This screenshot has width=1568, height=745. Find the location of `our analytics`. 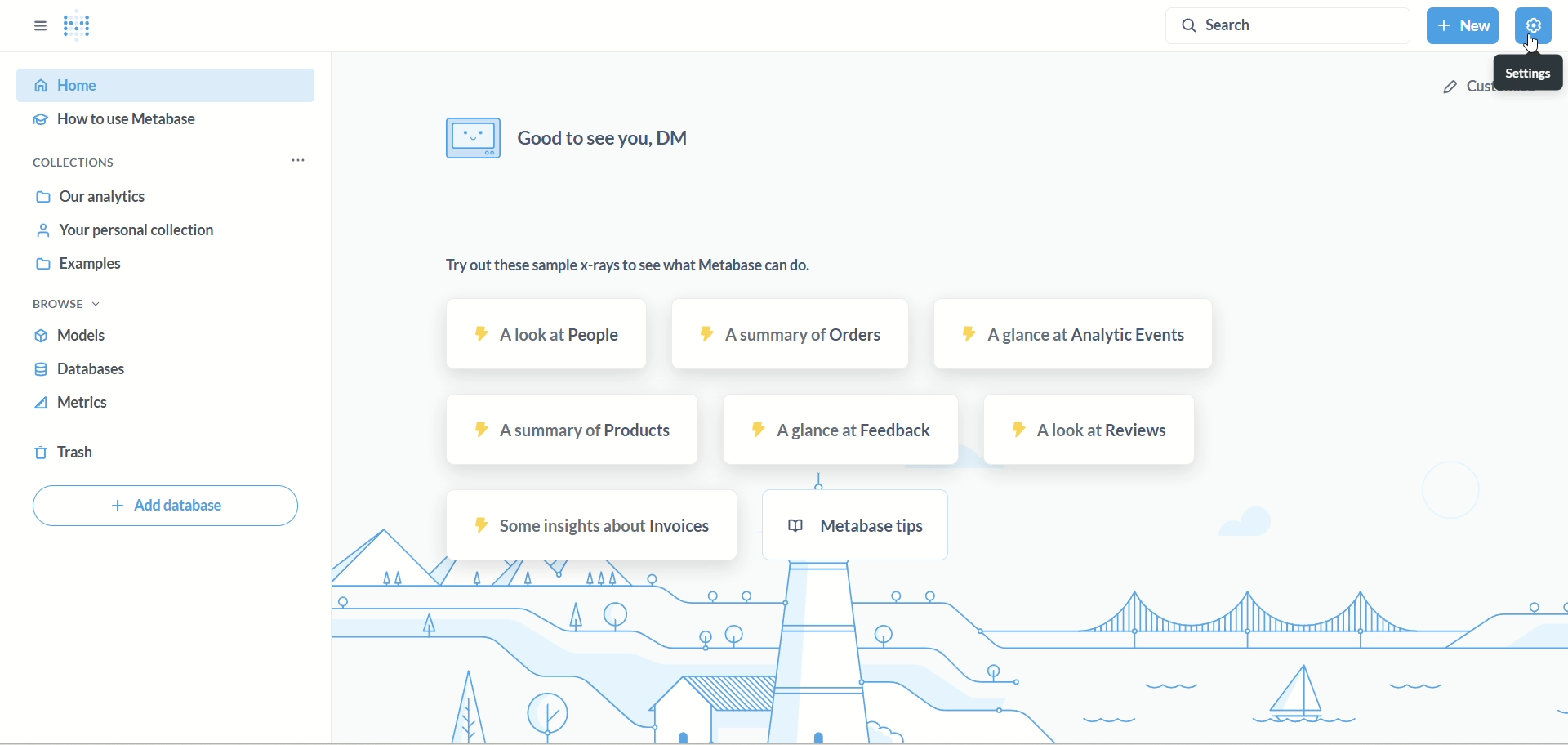

our analytics is located at coordinates (92, 197).